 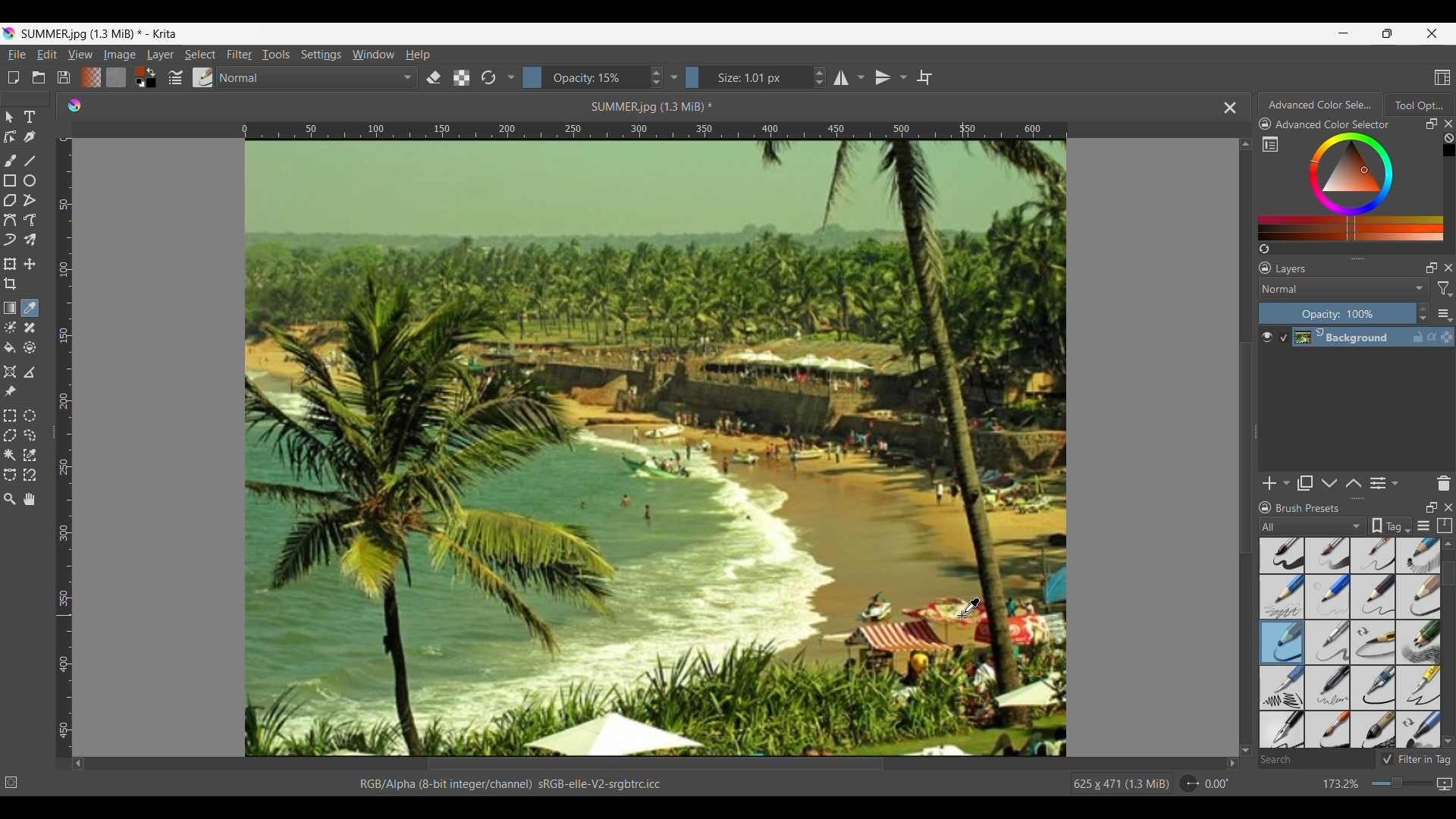 What do you see at coordinates (30, 240) in the screenshot?
I see `Multibrush tool` at bounding box center [30, 240].